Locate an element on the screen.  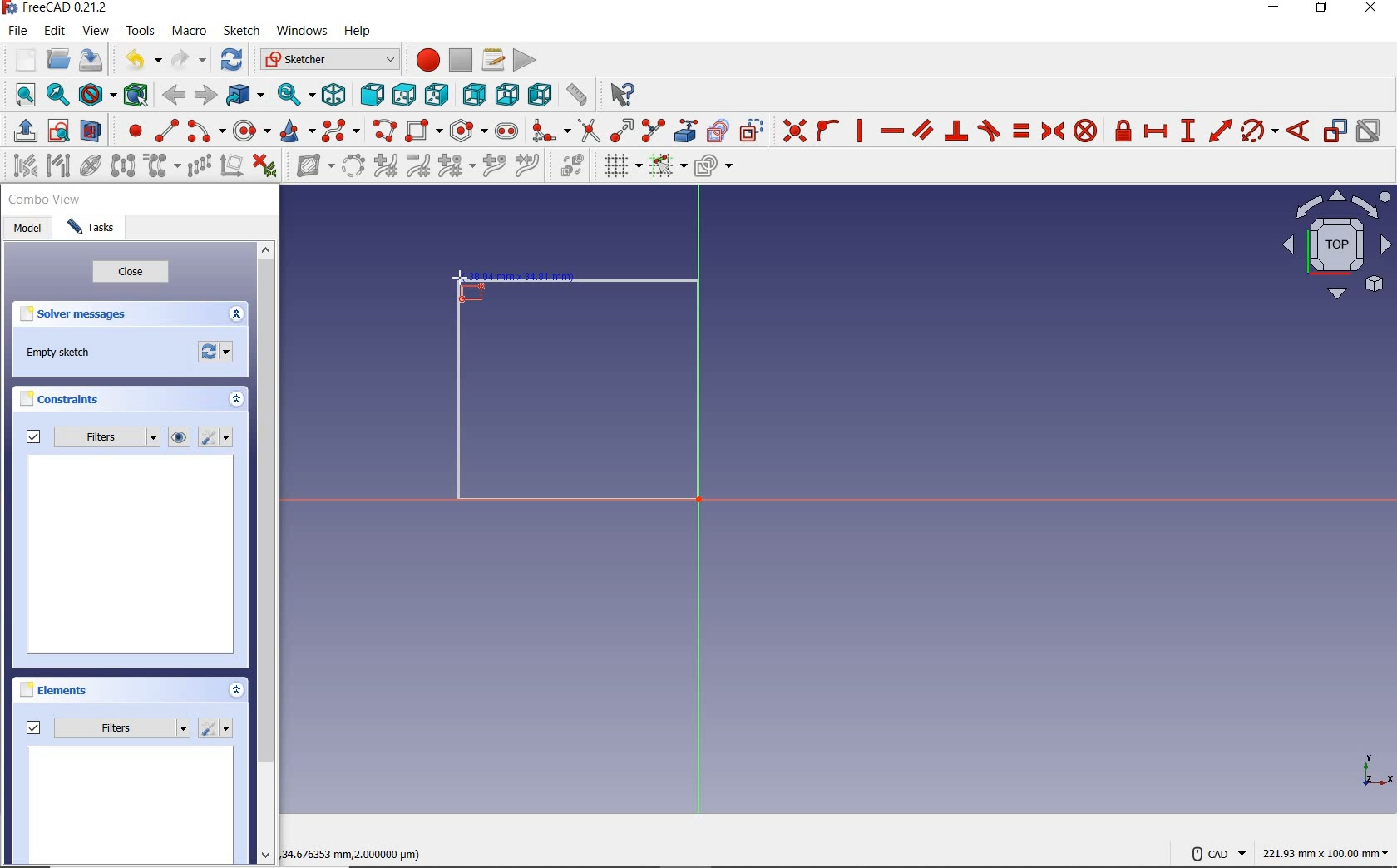
split edge is located at coordinates (653, 131).